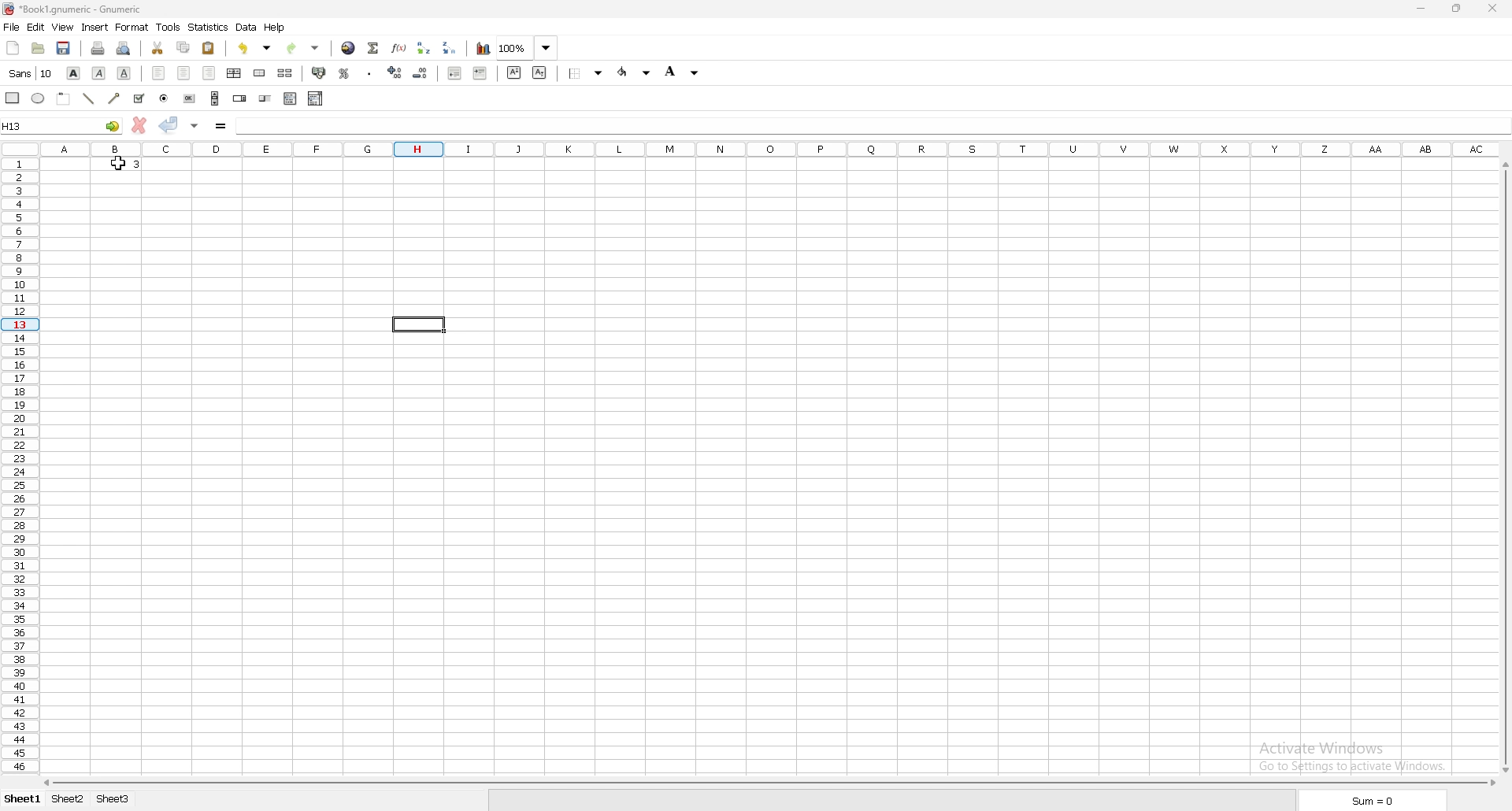 This screenshot has width=1512, height=811. What do you see at coordinates (772, 149) in the screenshot?
I see `column` at bounding box center [772, 149].